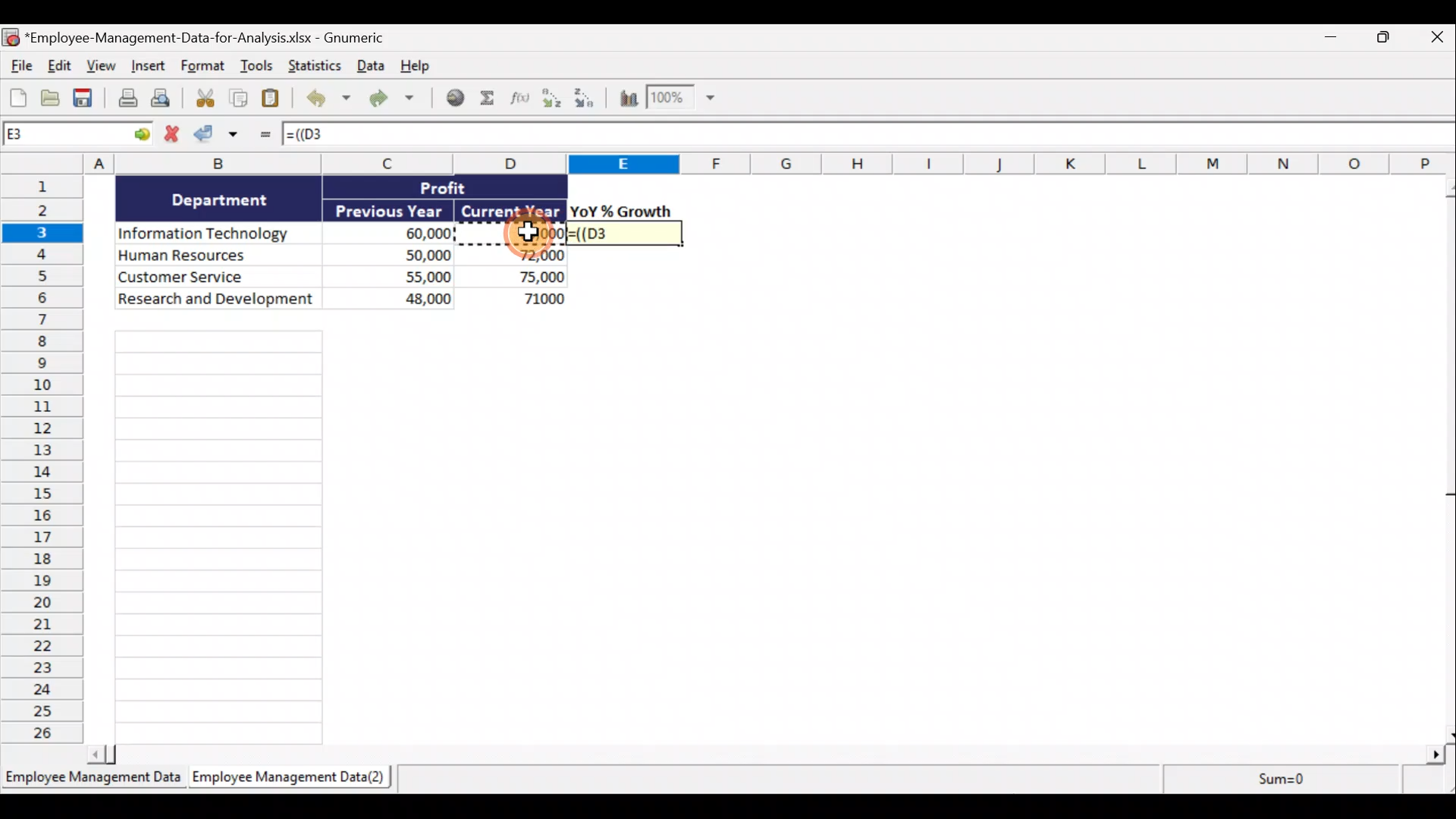 The width and height of the screenshot is (1456, 819). What do you see at coordinates (274, 99) in the screenshot?
I see `Paste clipboard` at bounding box center [274, 99].